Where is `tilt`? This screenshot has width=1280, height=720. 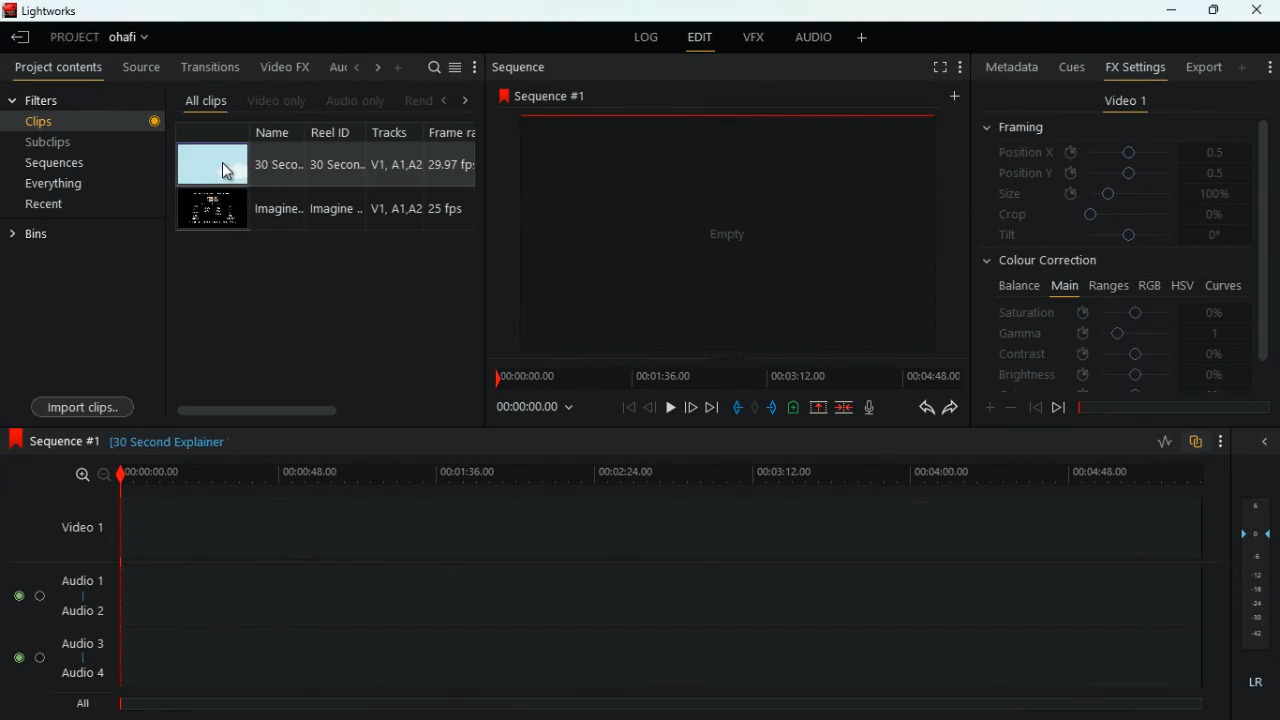
tilt is located at coordinates (1112, 238).